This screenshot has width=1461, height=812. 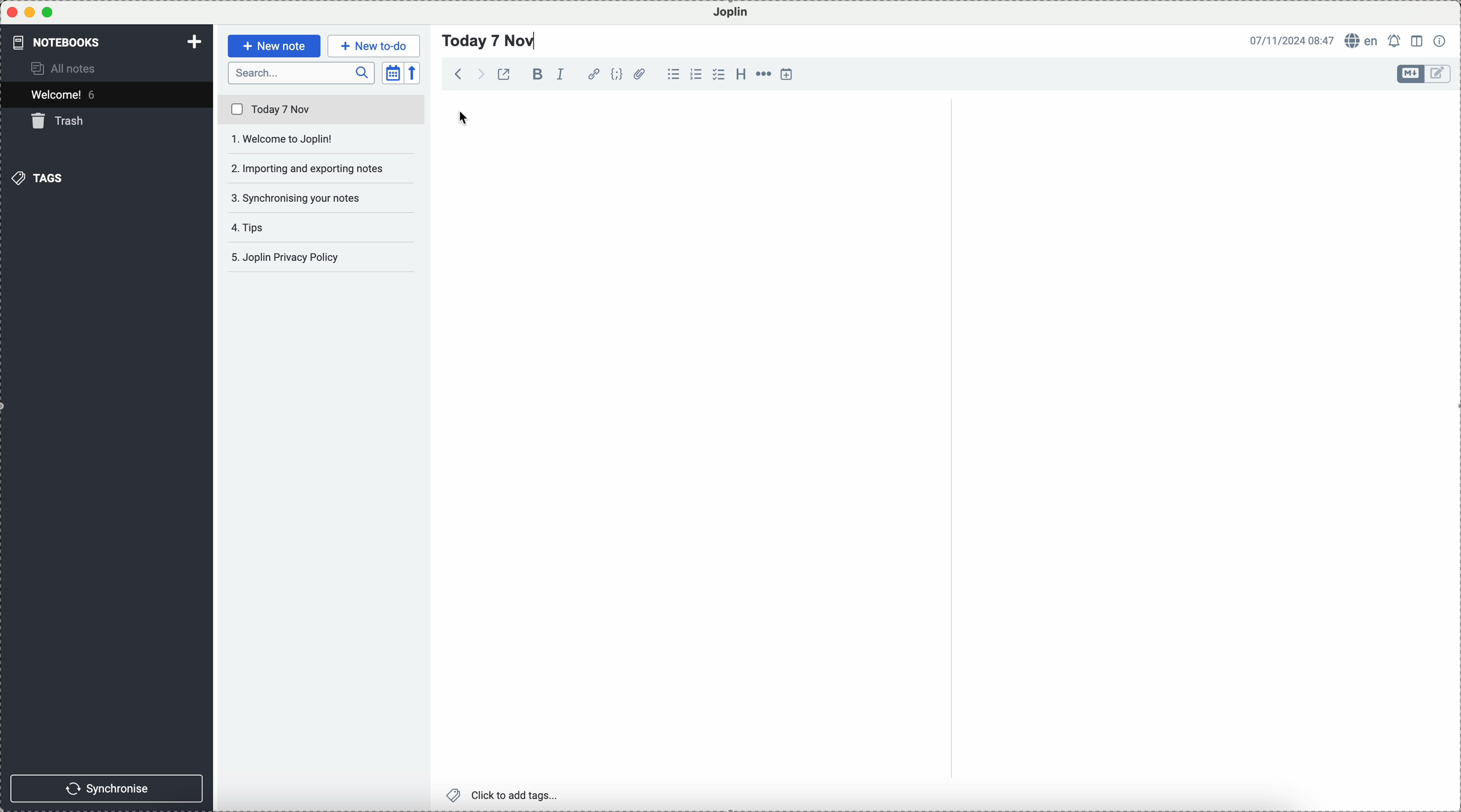 I want to click on set alarm, so click(x=1396, y=41).